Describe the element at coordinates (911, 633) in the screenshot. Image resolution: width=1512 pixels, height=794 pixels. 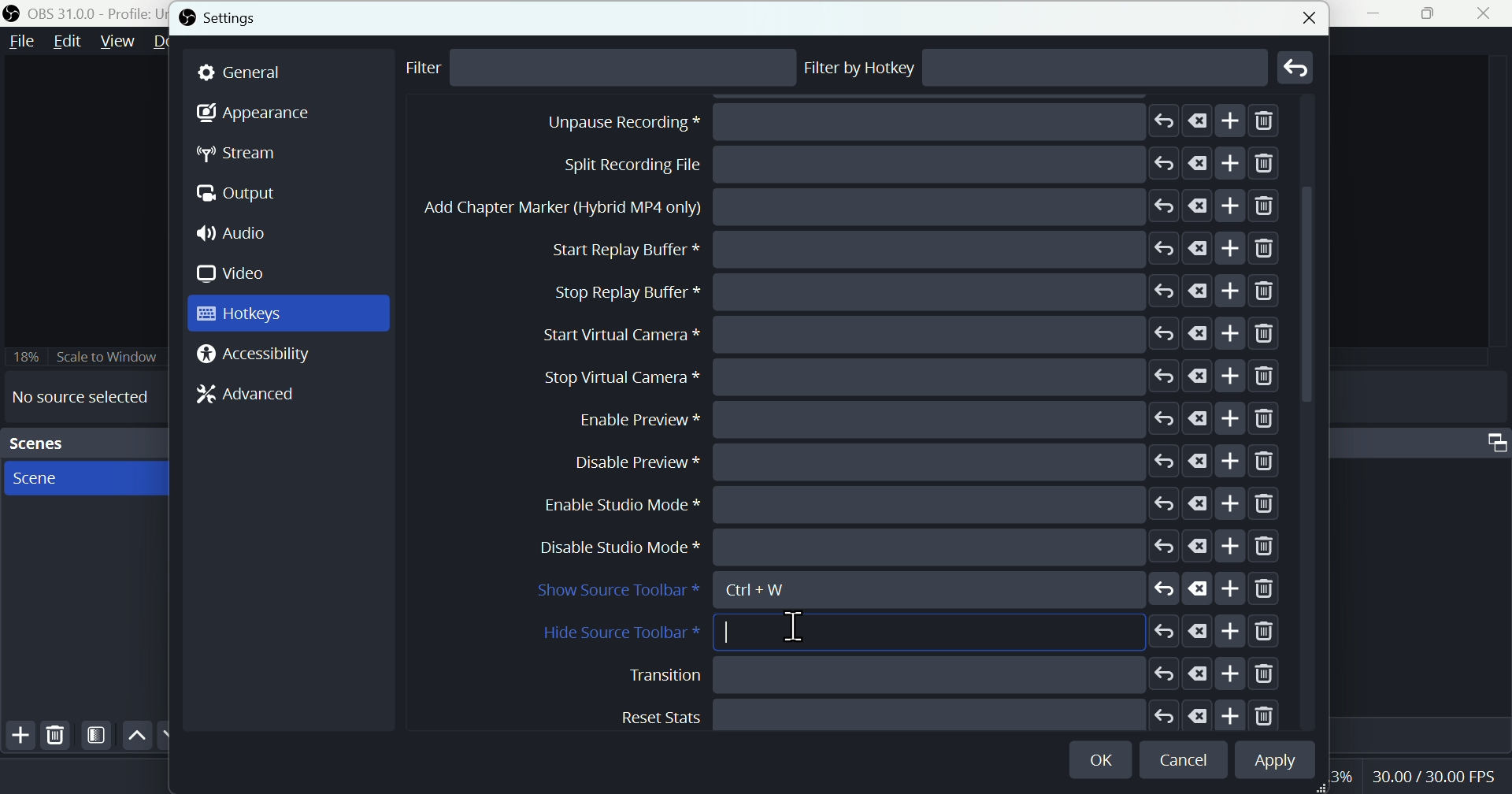
I see `Height source toolbar` at that location.